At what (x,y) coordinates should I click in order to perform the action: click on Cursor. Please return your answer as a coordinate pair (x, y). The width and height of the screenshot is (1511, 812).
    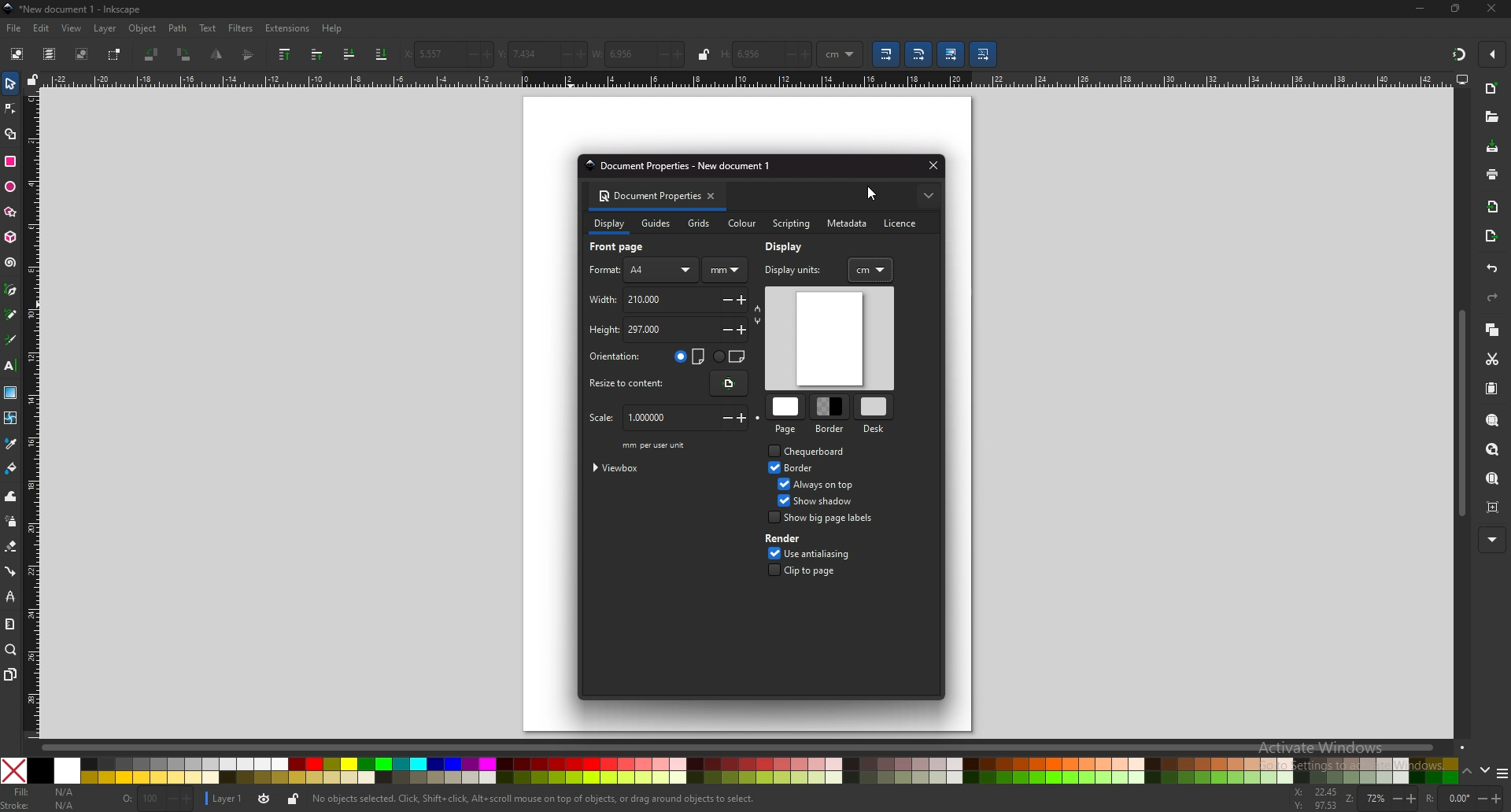
    Looking at the image, I should click on (871, 194).